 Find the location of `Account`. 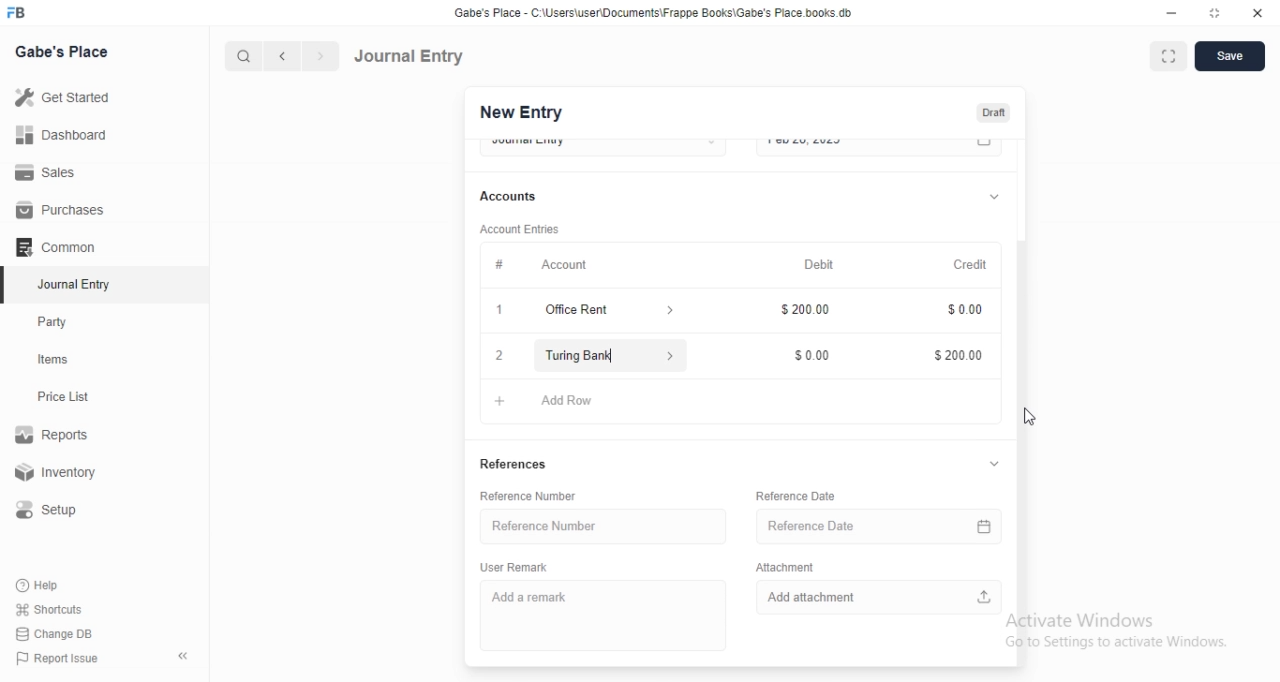

Account is located at coordinates (566, 263).